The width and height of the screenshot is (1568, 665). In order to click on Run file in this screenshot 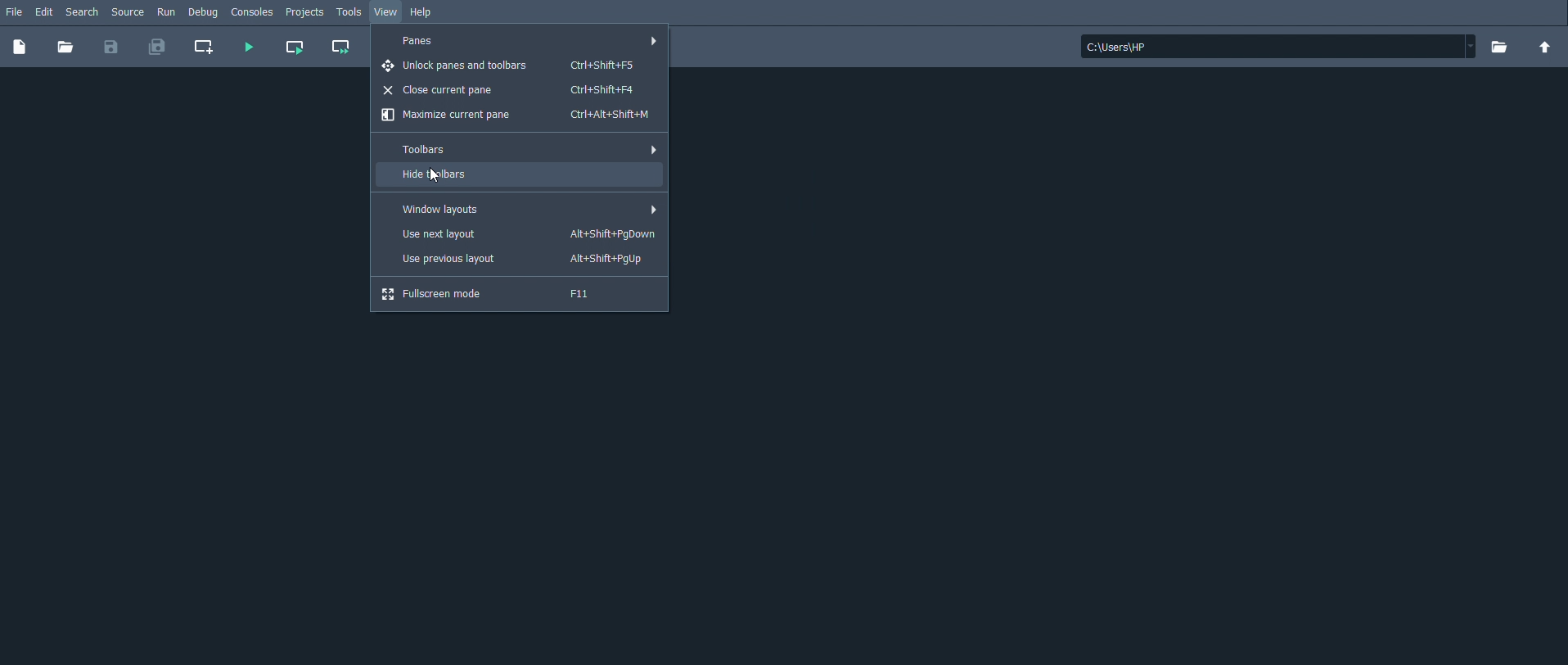, I will do `click(246, 47)`.